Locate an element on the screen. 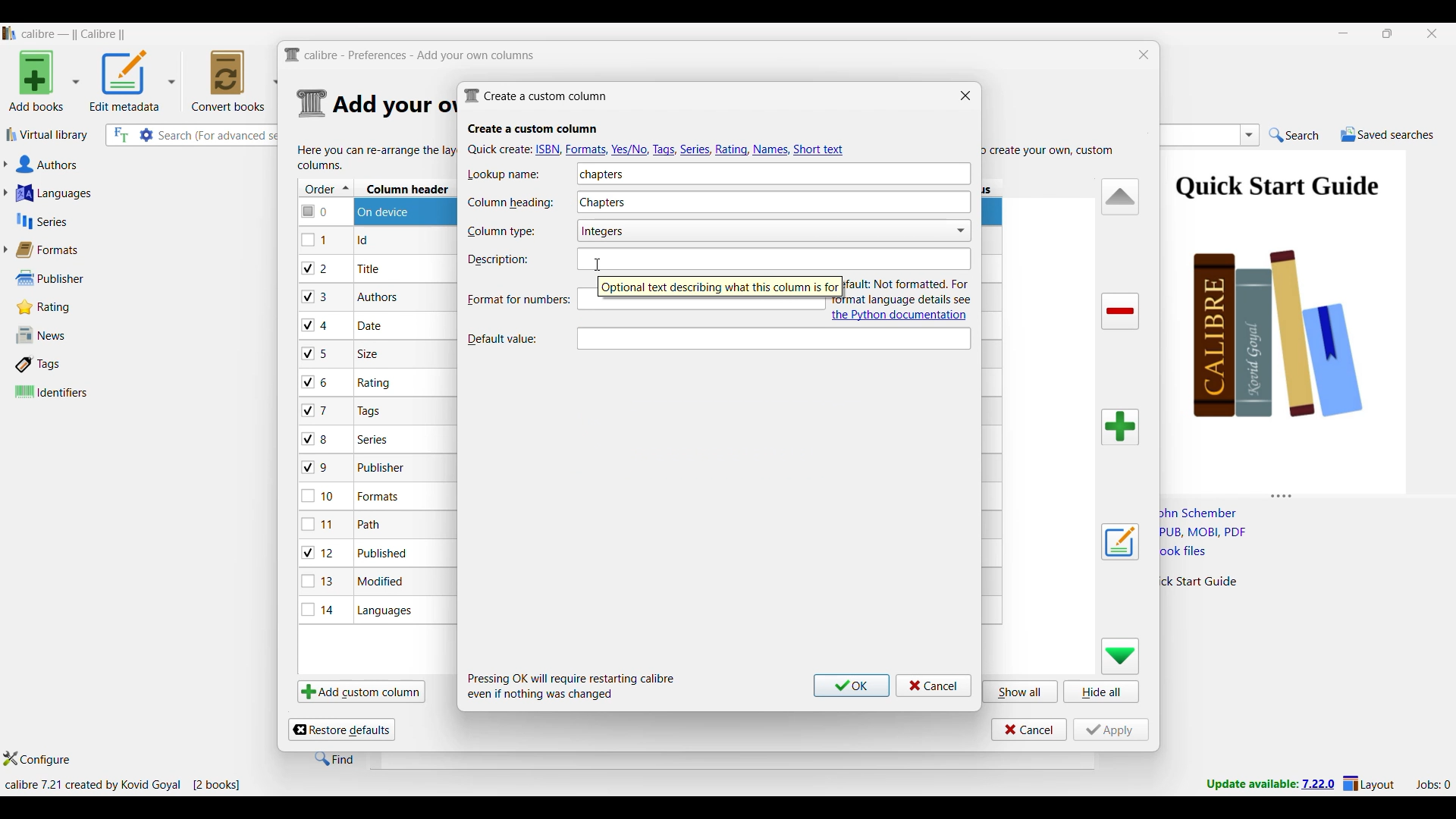  checkbox - 9 is located at coordinates (315, 468).